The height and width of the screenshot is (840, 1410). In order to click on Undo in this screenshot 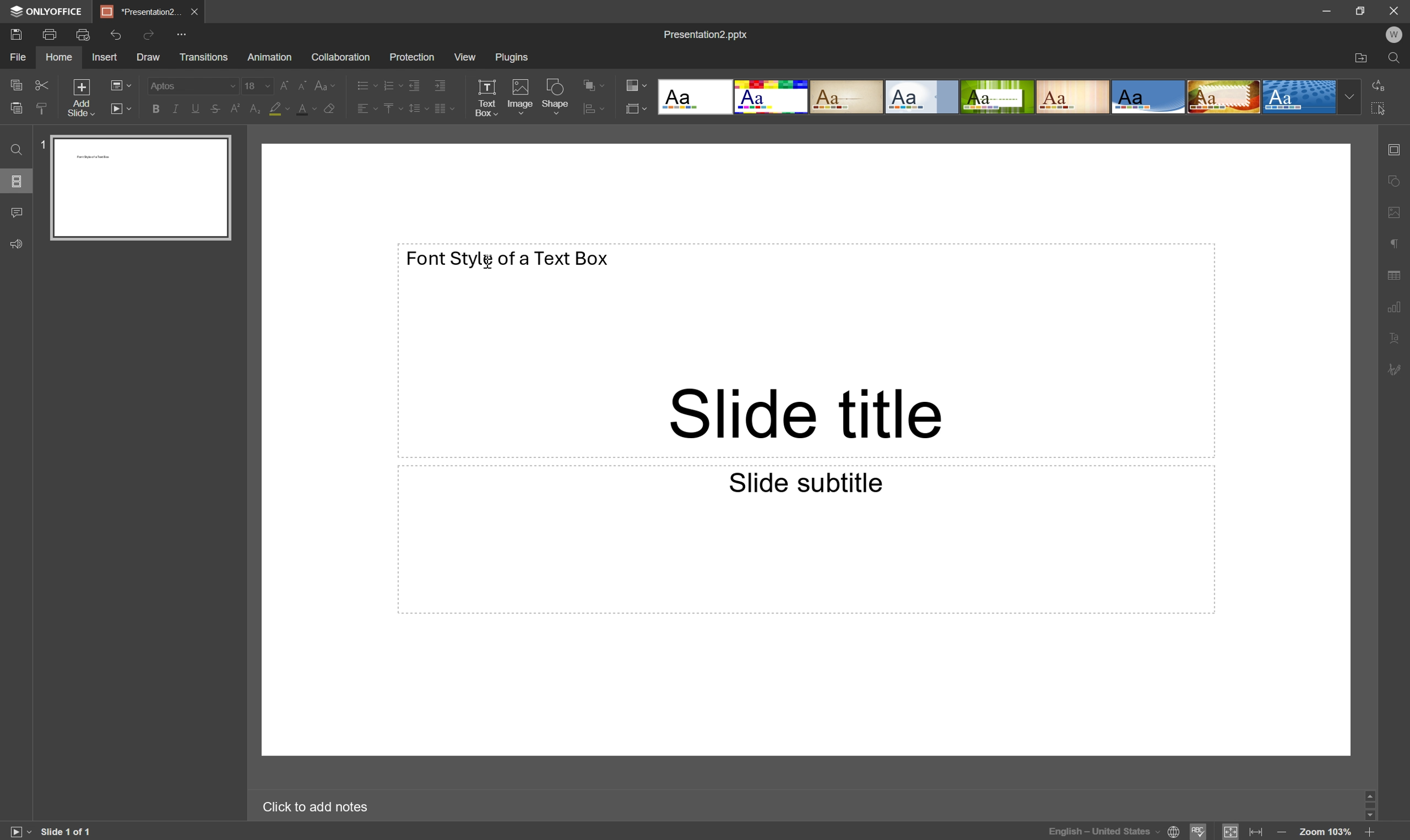, I will do `click(119, 33)`.